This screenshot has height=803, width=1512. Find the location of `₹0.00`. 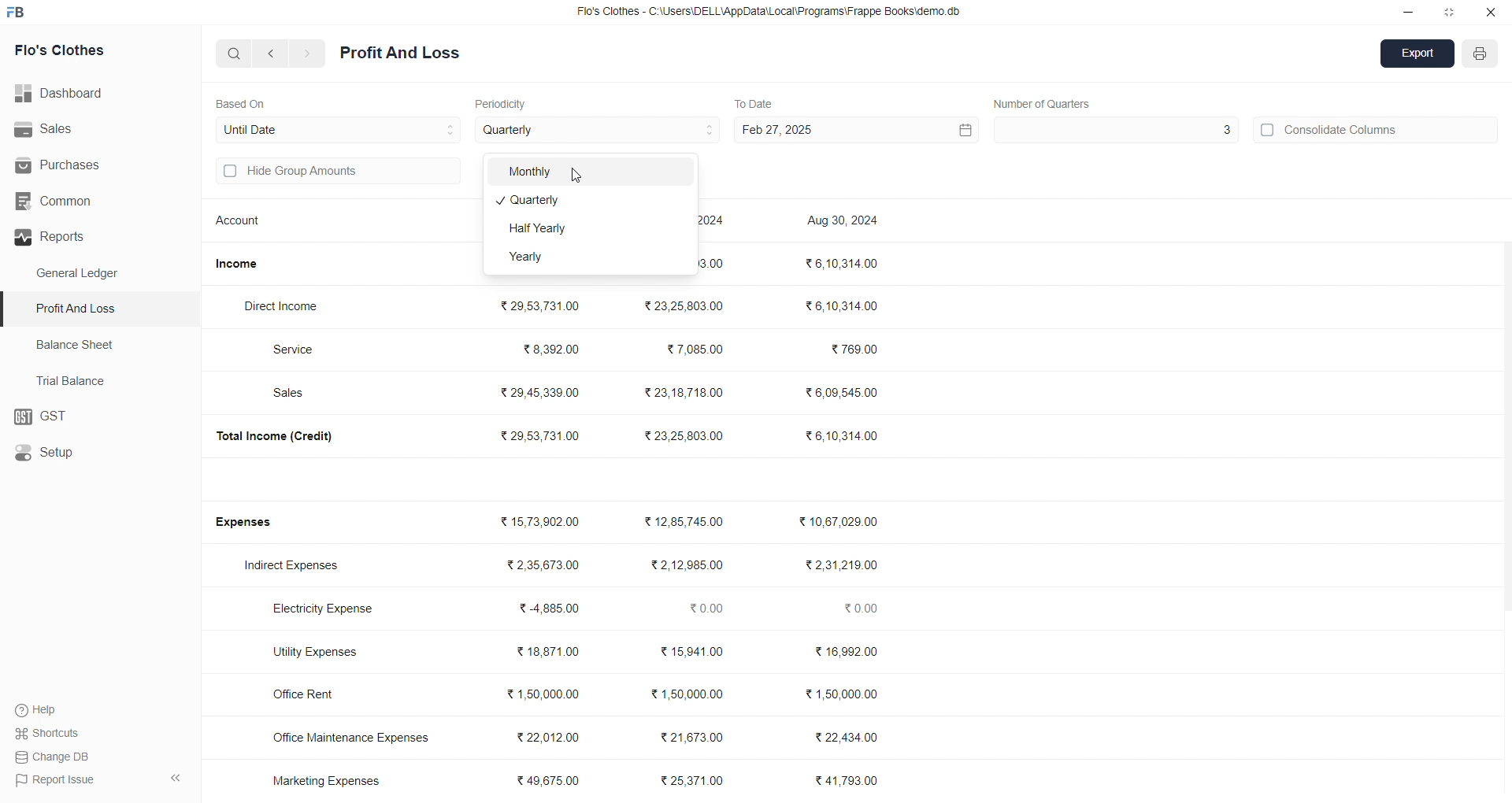

₹0.00 is located at coordinates (708, 609).